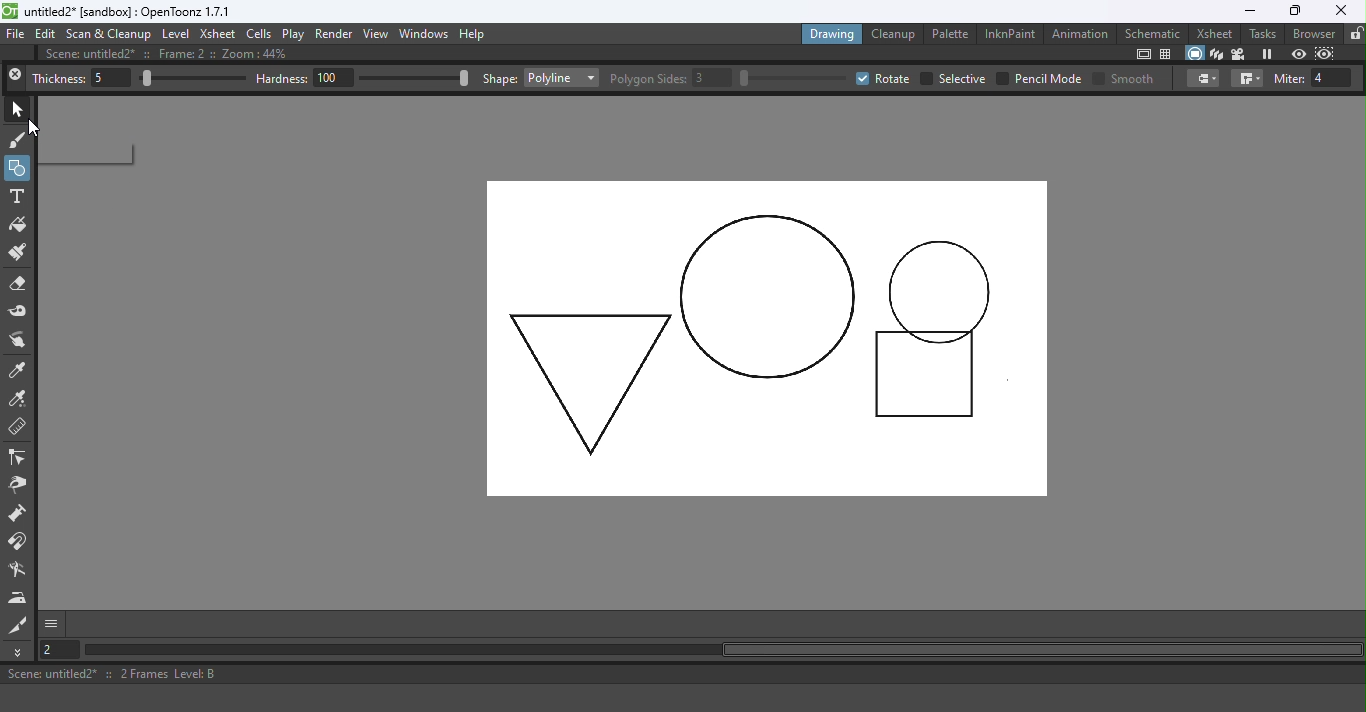 This screenshot has width=1366, height=712. What do you see at coordinates (177, 55) in the screenshot?
I see `Scene: untitle2* :: Frame: 2 :: Zoom:44%` at bounding box center [177, 55].